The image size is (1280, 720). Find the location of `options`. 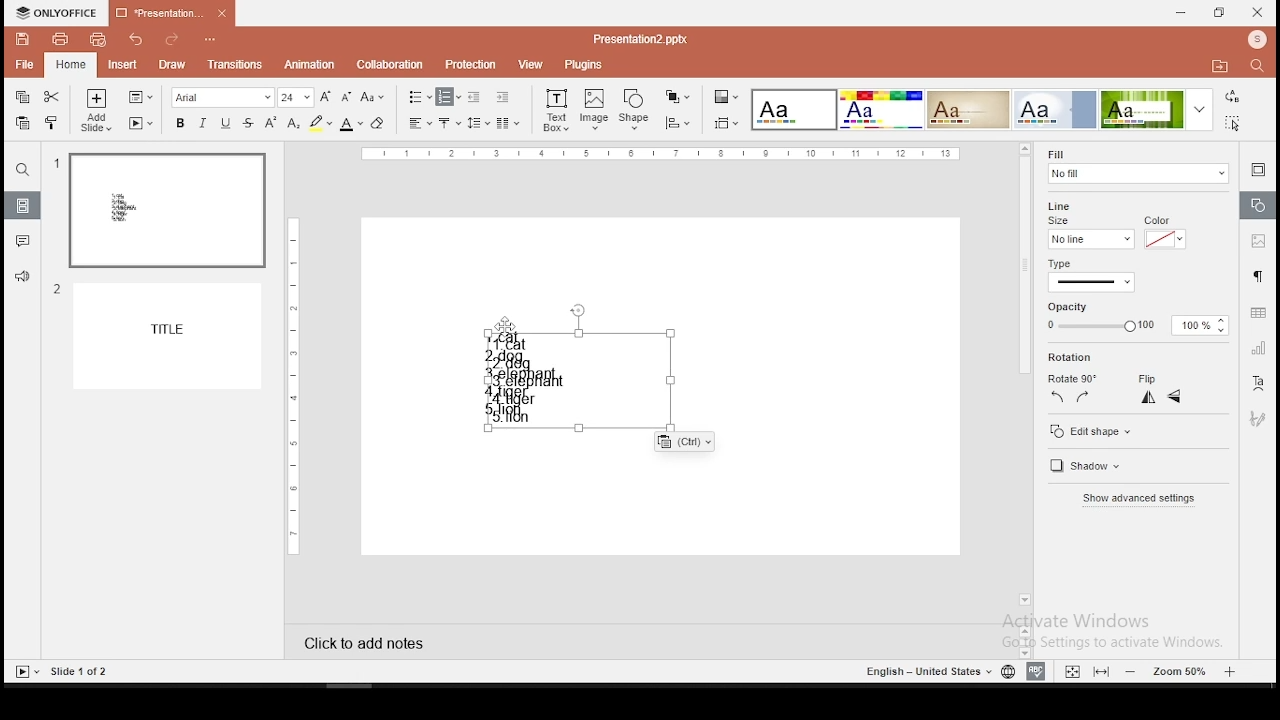

options is located at coordinates (211, 41).